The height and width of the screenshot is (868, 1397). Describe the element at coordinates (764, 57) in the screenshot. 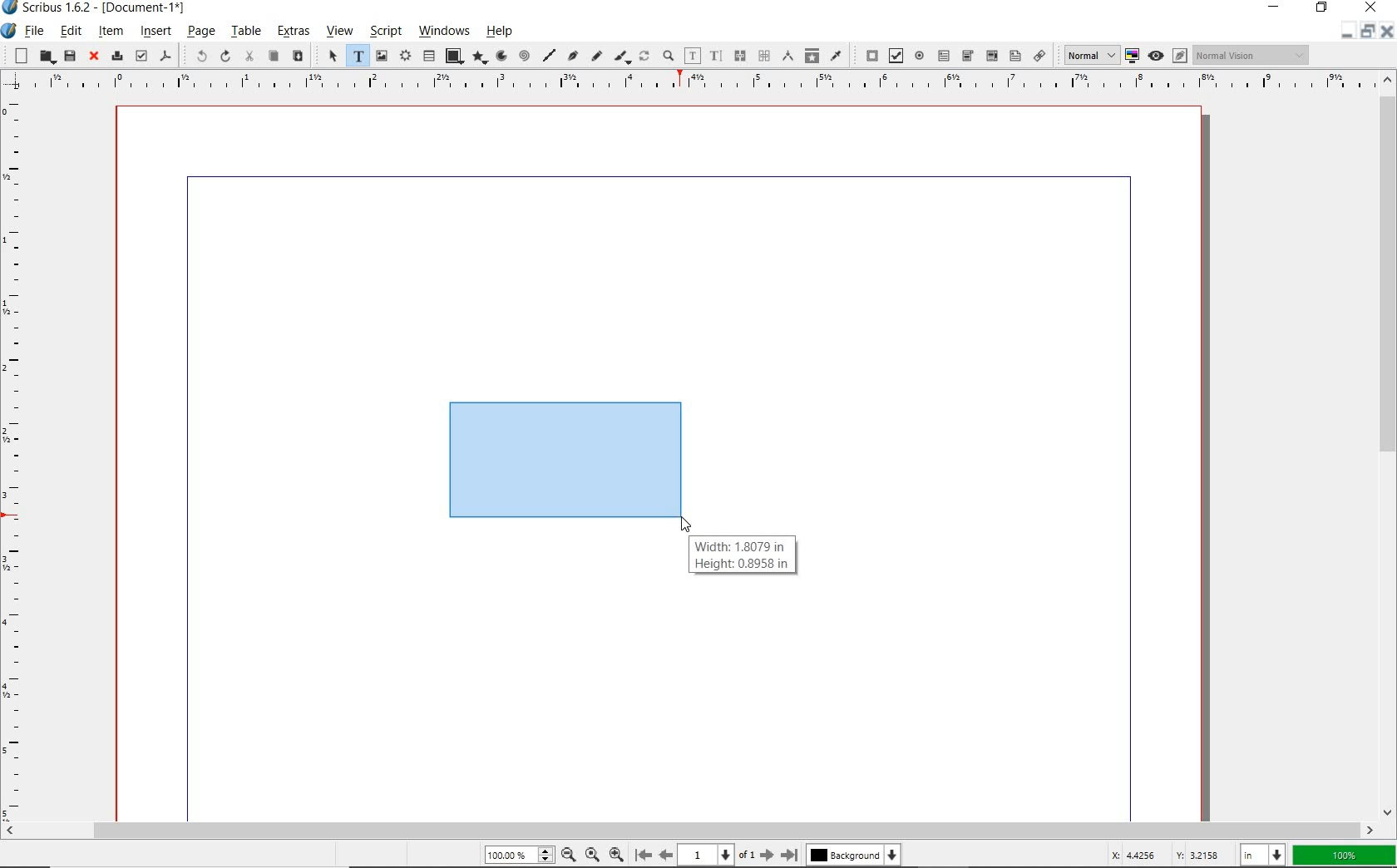

I see `unlink text frames` at that location.